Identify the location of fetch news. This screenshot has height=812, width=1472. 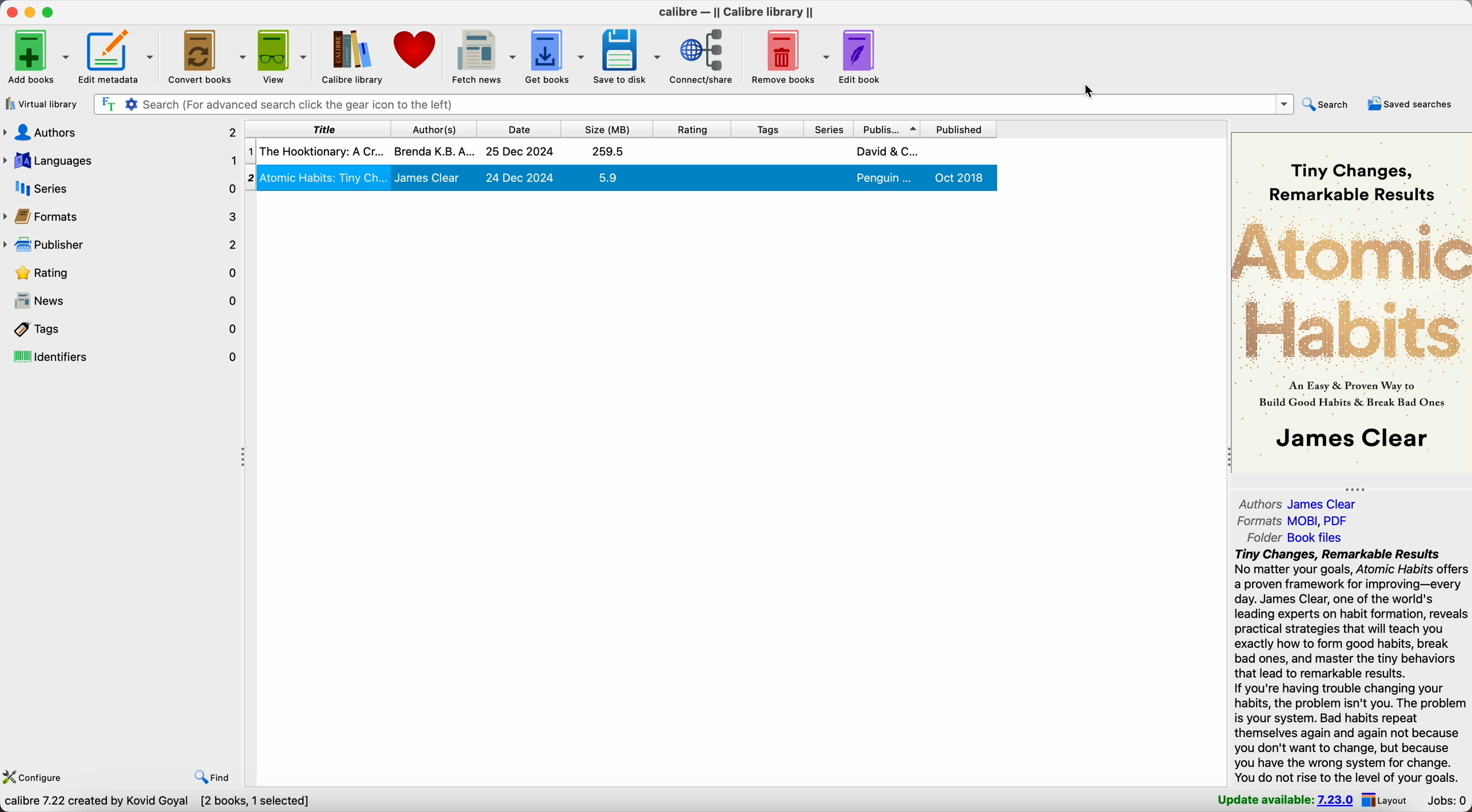
(484, 56).